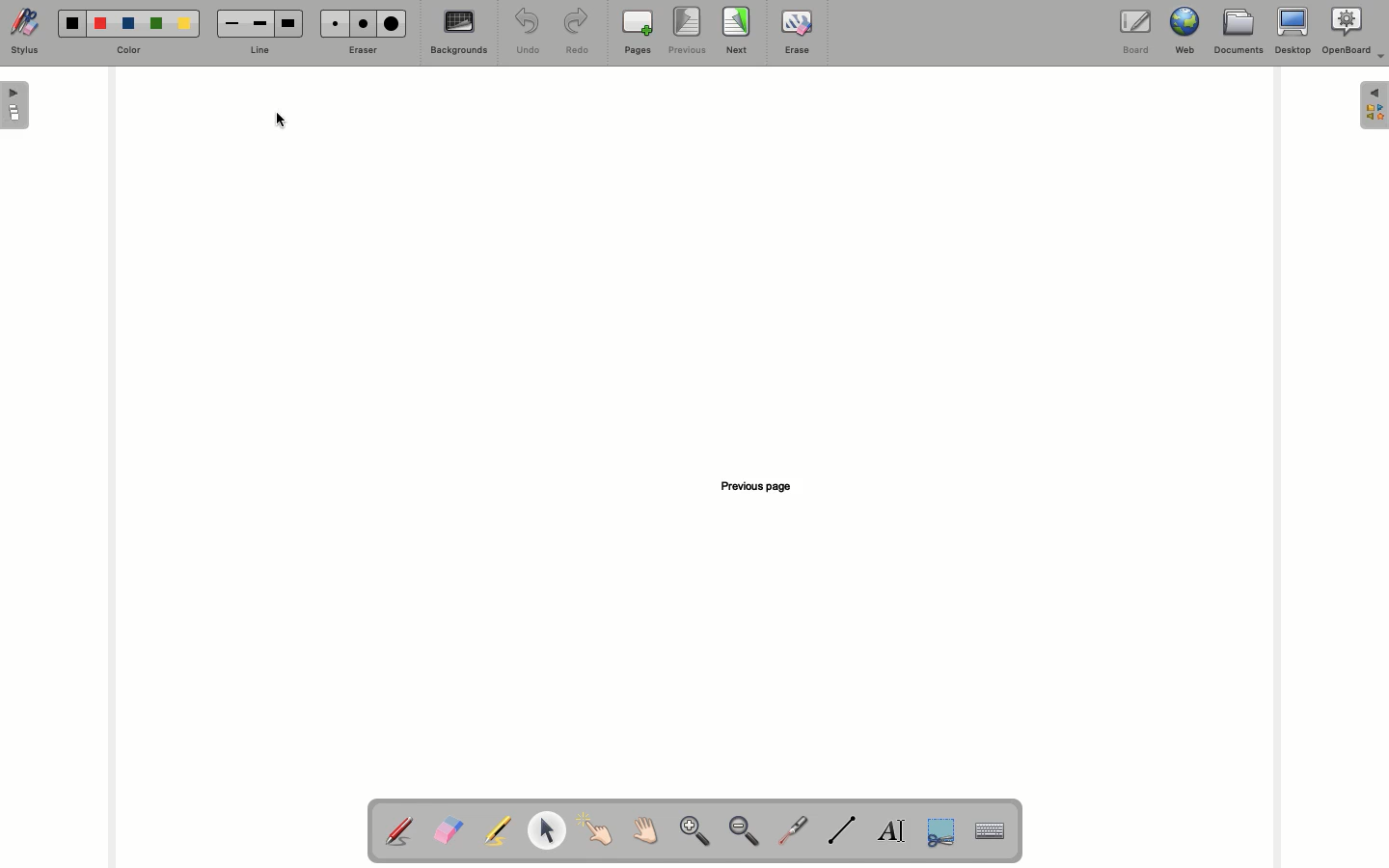 This screenshot has width=1389, height=868. What do you see at coordinates (642, 829) in the screenshot?
I see `Move page` at bounding box center [642, 829].